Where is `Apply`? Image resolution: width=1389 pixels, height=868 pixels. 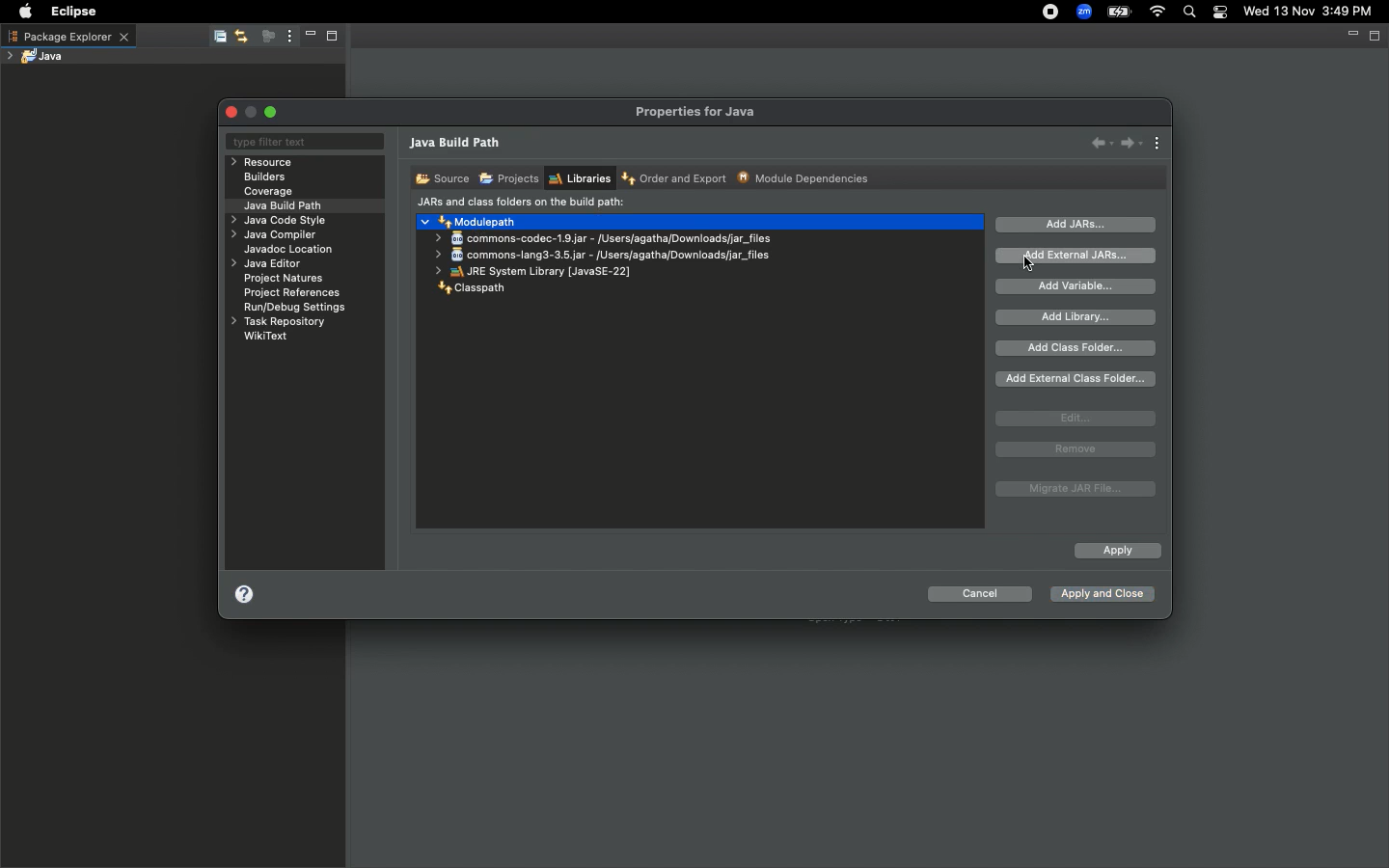
Apply is located at coordinates (1116, 552).